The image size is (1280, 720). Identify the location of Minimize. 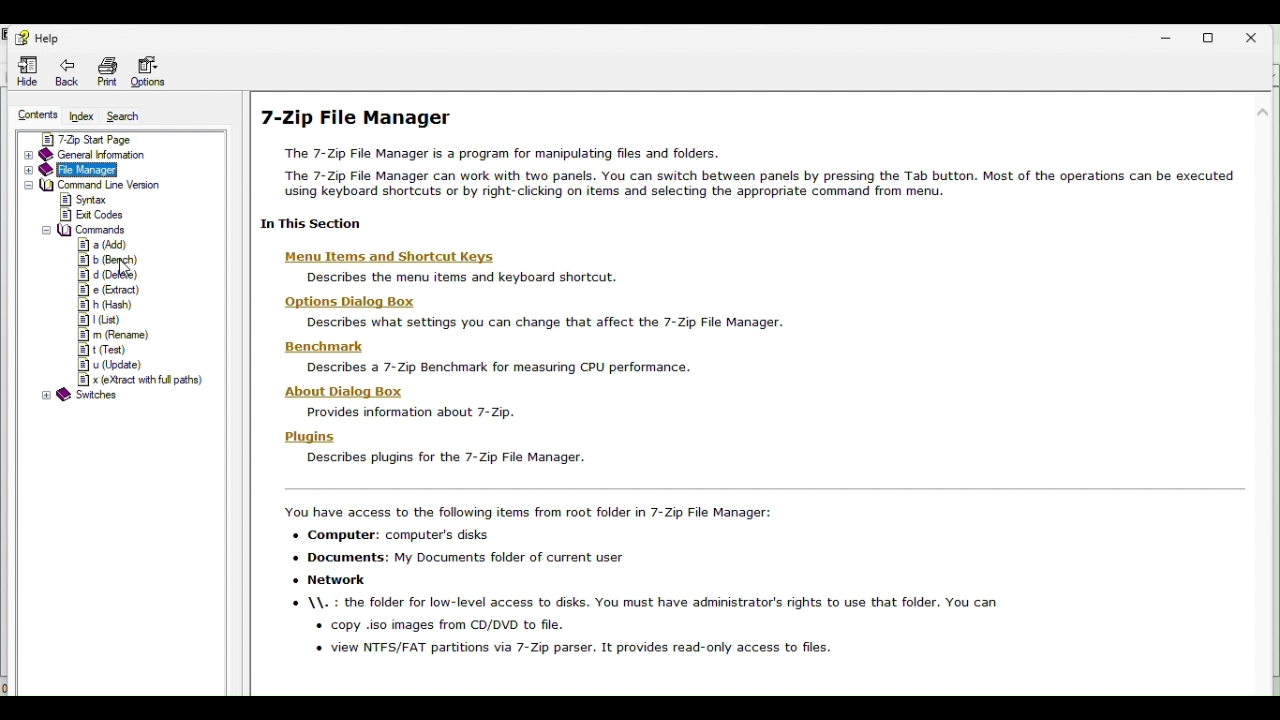
(1174, 34).